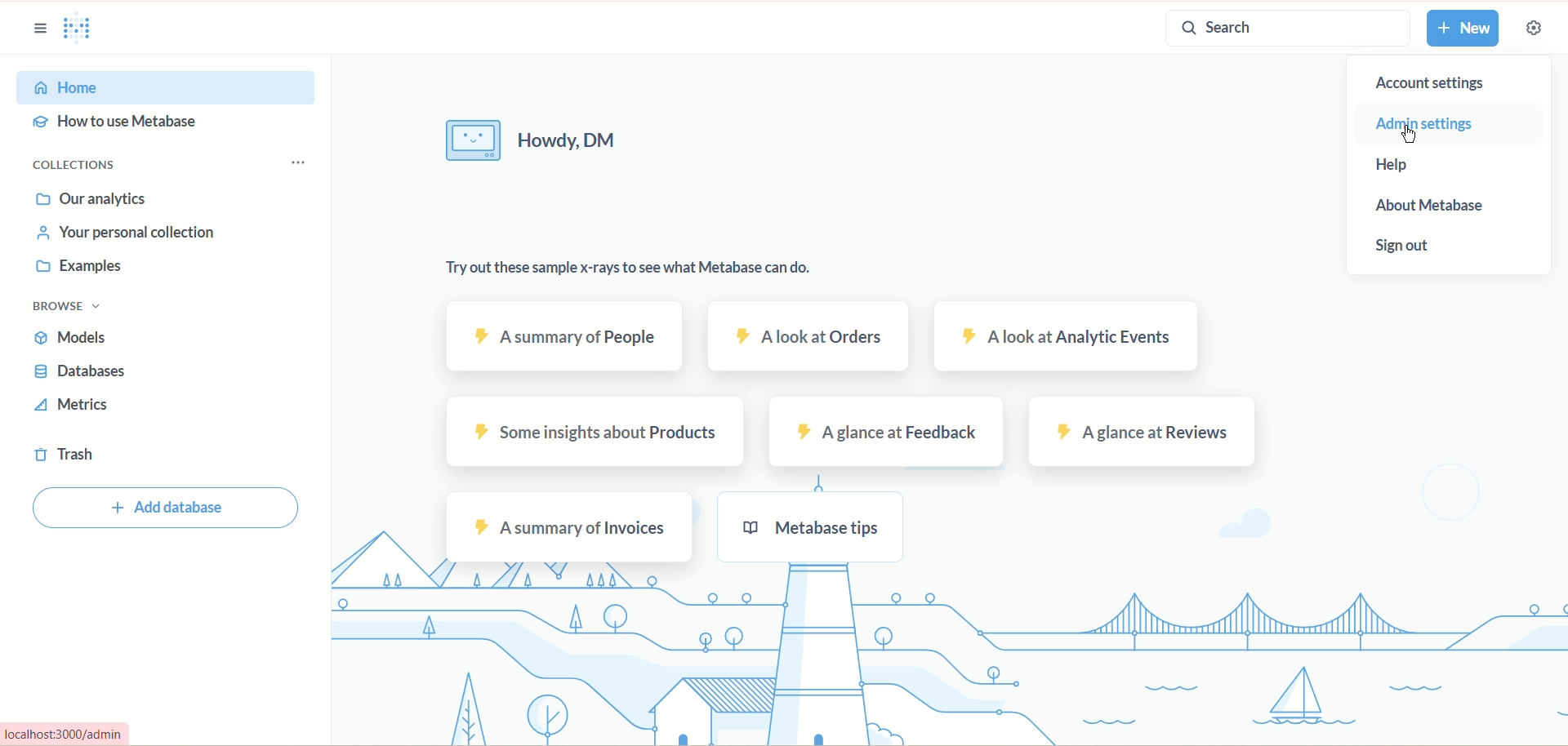  What do you see at coordinates (465, 140) in the screenshot?
I see `image` at bounding box center [465, 140].